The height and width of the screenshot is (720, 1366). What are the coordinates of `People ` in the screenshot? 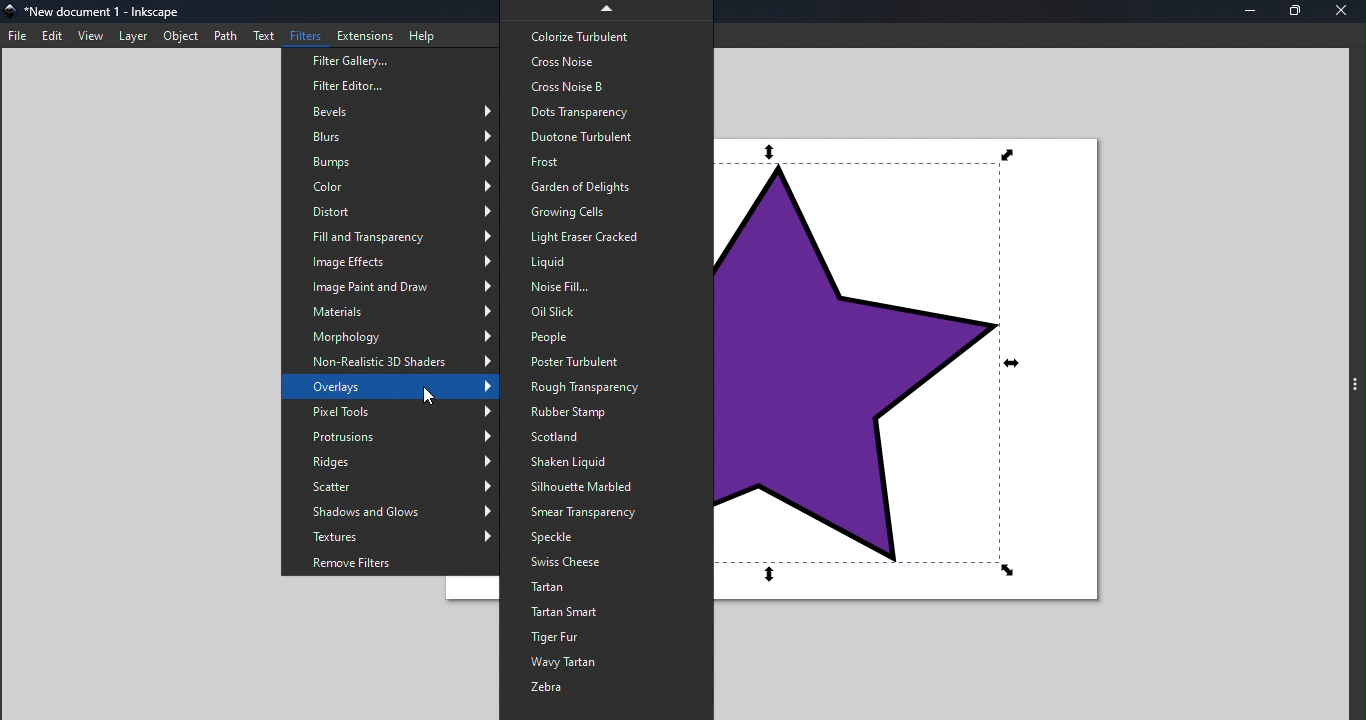 It's located at (604, 336).